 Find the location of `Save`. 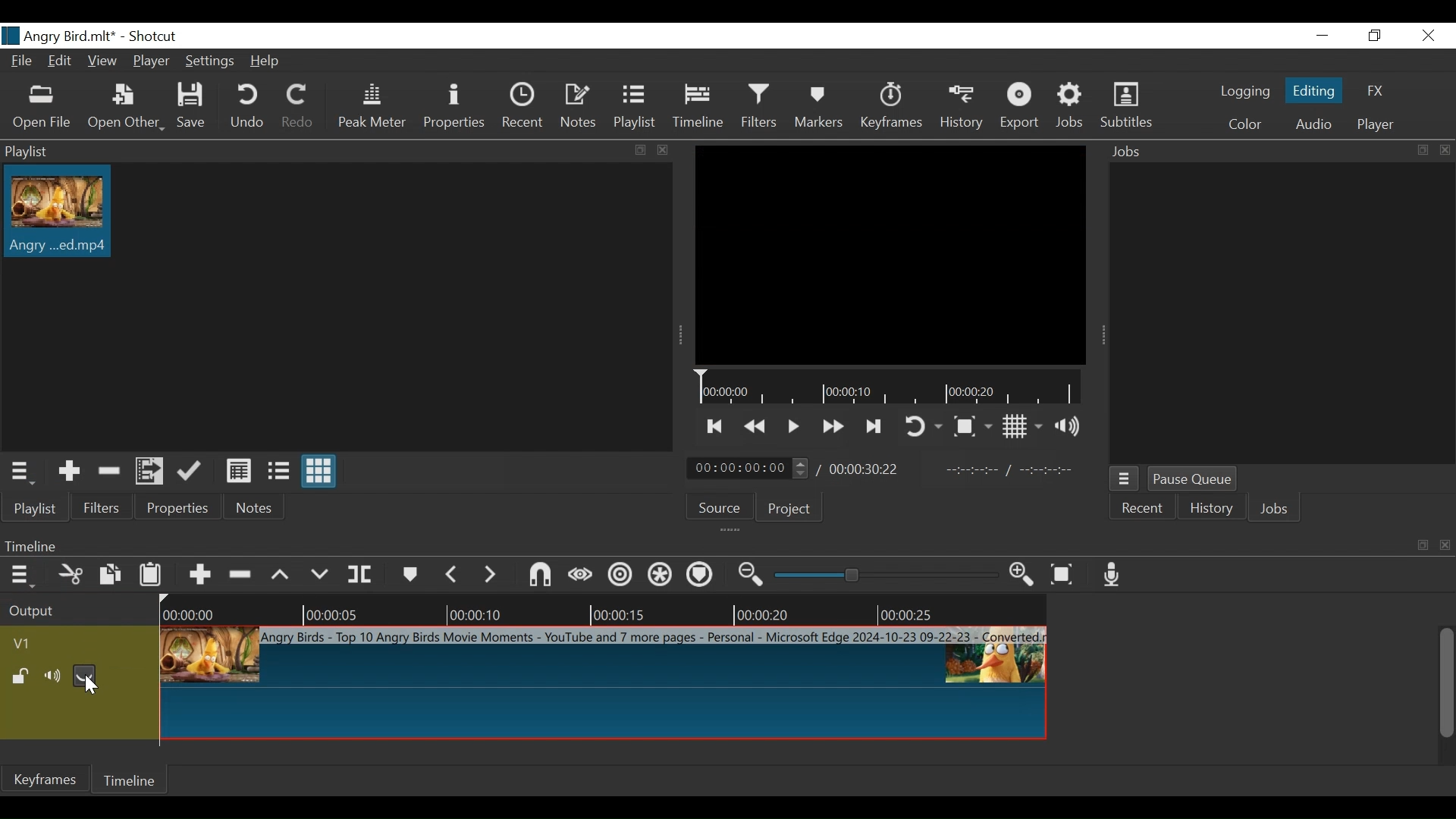

Save is located at coordinates (190, 106).